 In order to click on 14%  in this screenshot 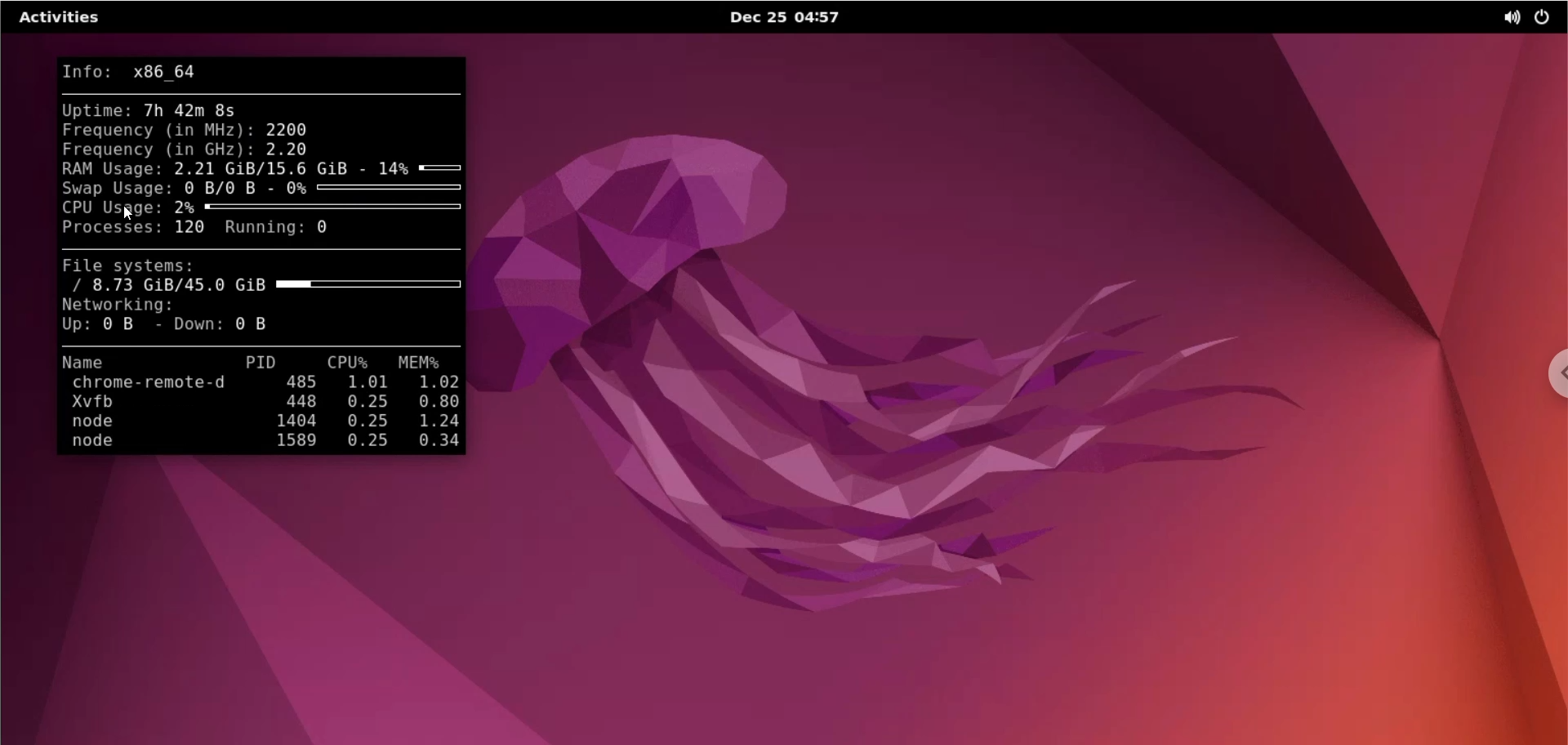, I will do `click(422, 167)`.